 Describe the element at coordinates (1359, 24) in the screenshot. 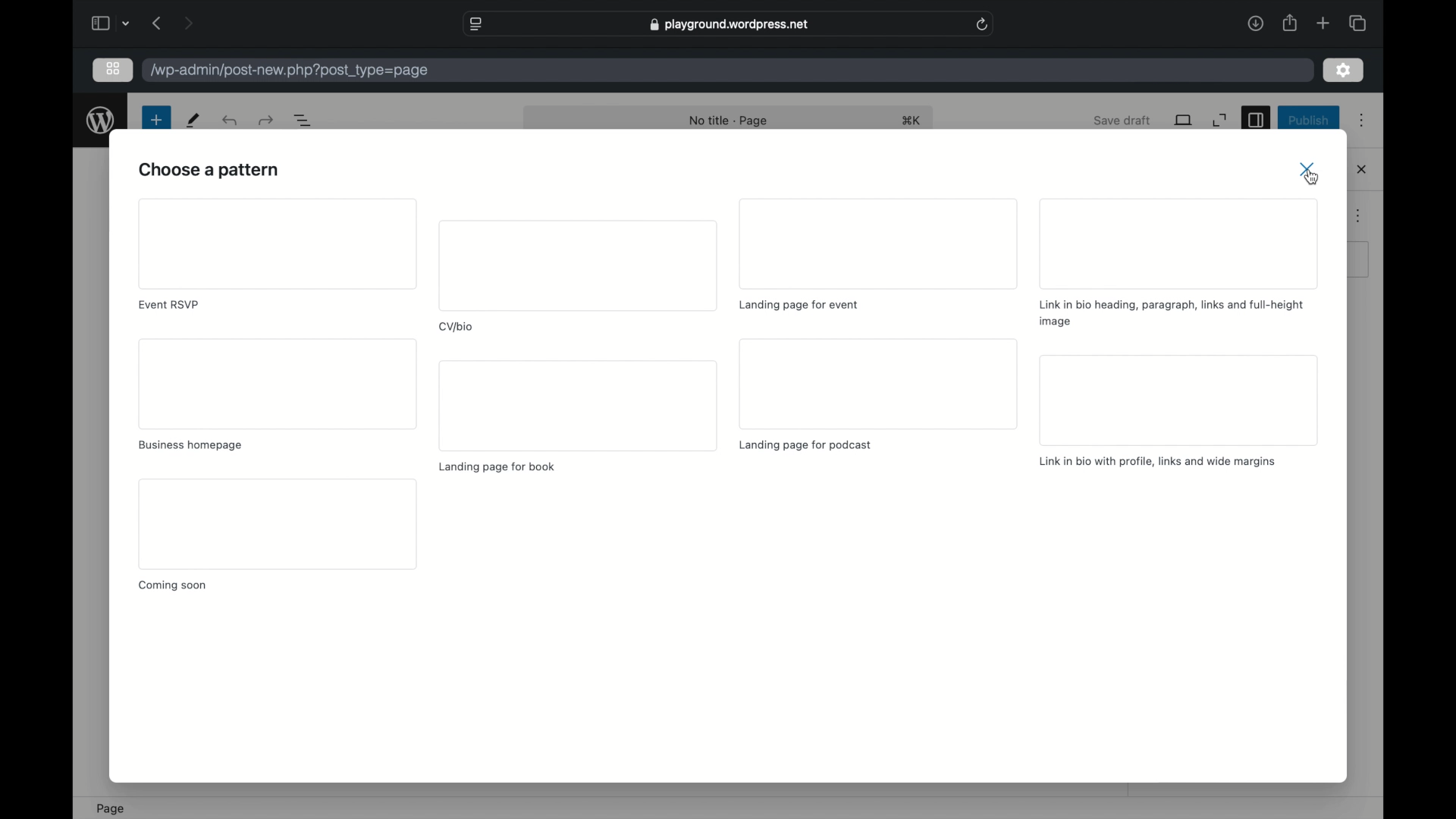

I see `show tab overview` at that location.